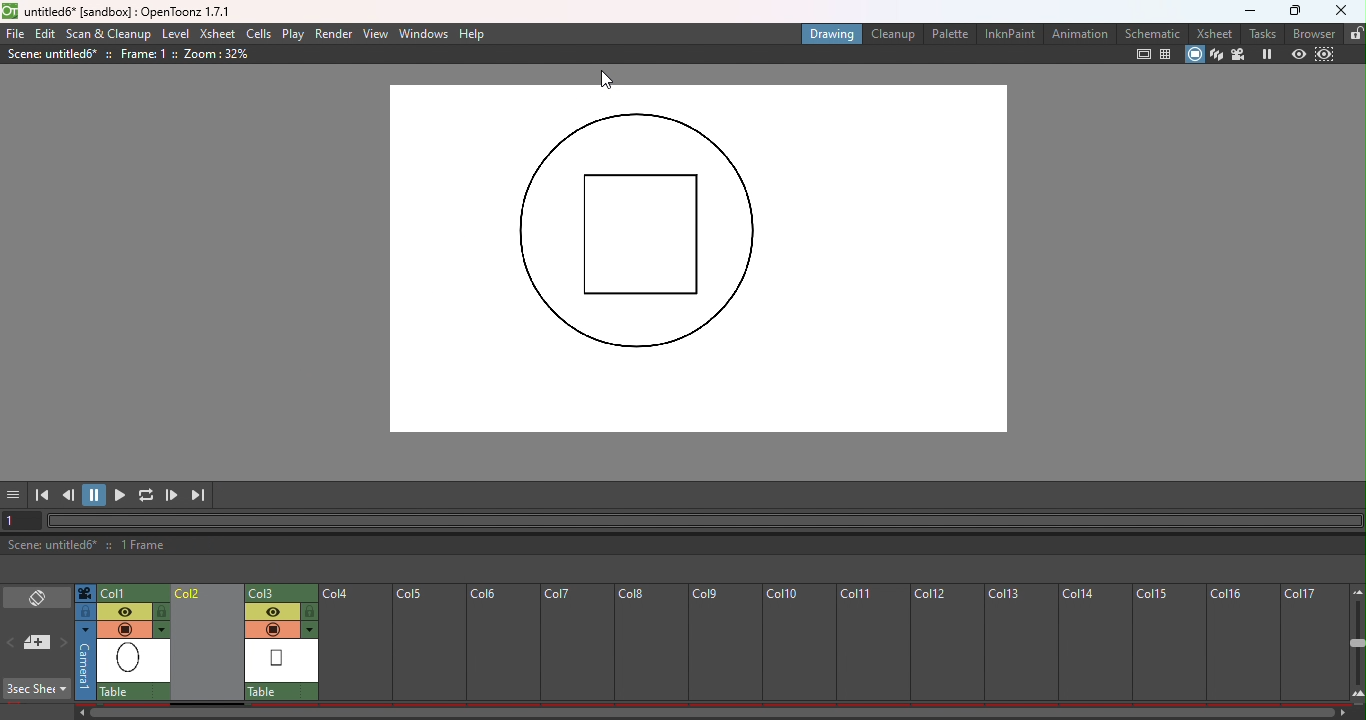 The image size is (1366, 720). Describe the element at coordinates (1217, 32) in the screenshot. I see `Xsheet` at that location.